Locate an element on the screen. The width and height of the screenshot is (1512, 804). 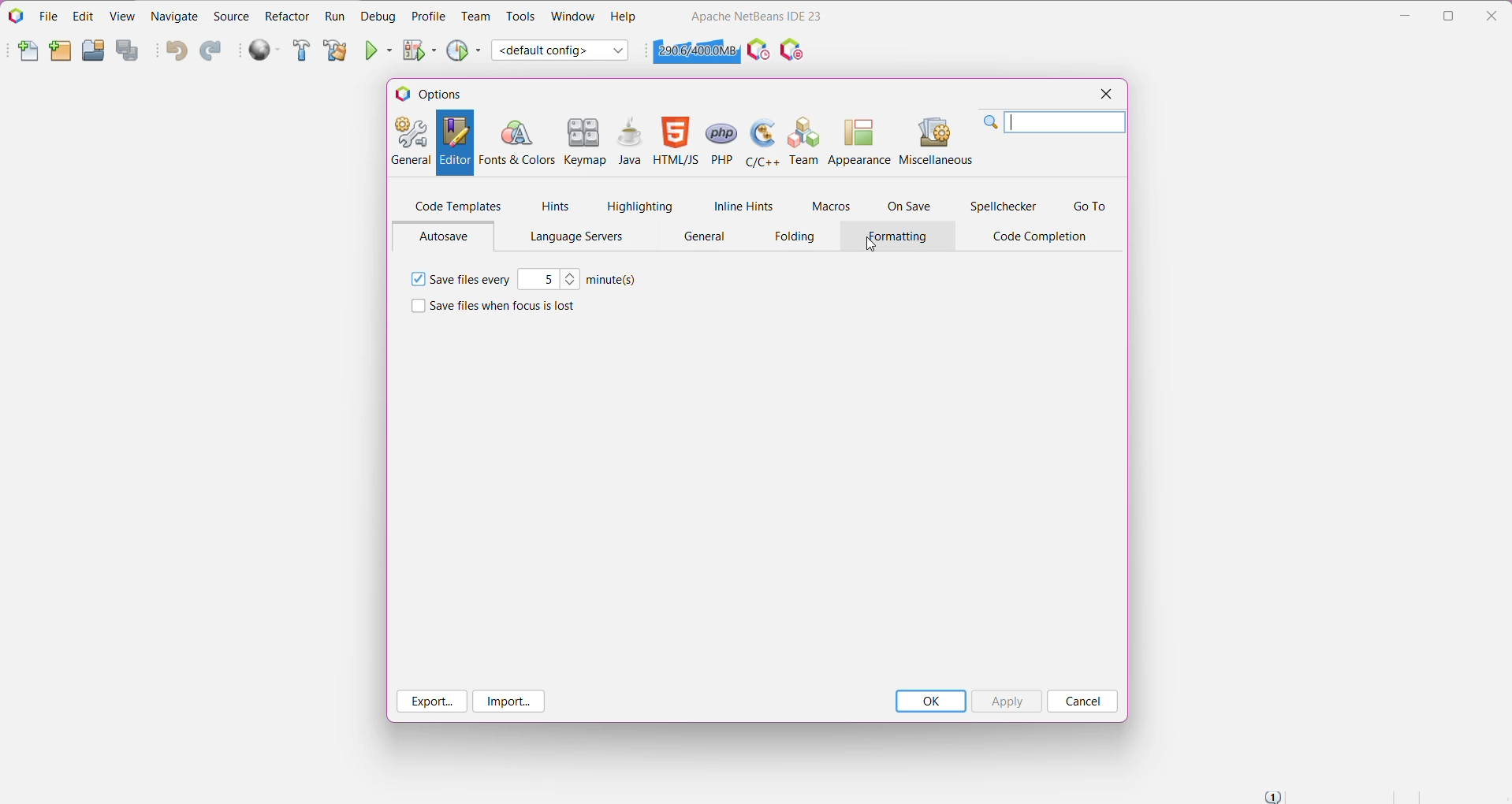
Build Project is located at coordinates (302, 51).